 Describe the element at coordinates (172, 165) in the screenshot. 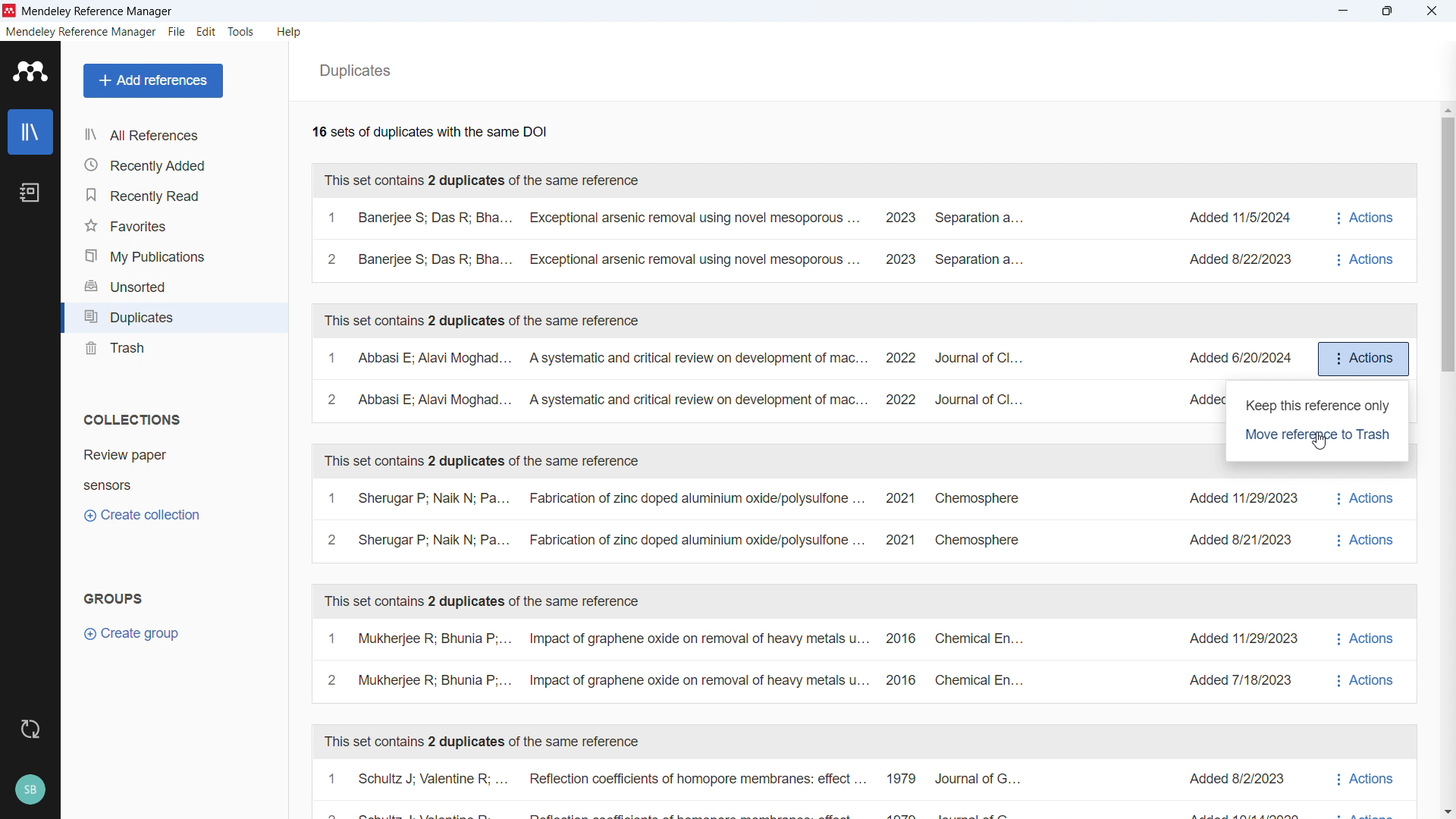

I see `recently added ` at that location.